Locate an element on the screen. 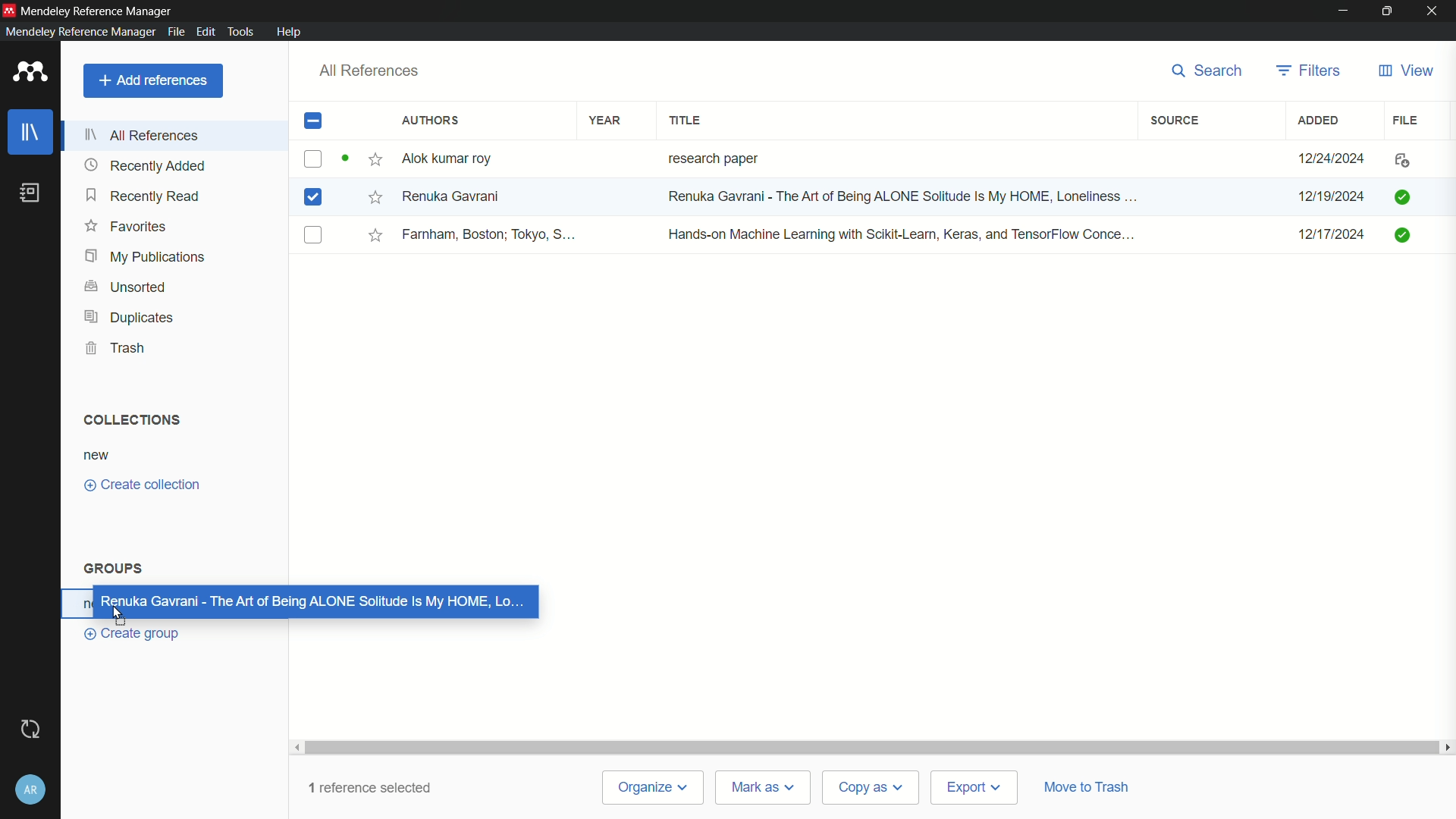 Image resolution: width=1456 pixels, height=819 pixels. Checked is located at coordinates (1401, 196).